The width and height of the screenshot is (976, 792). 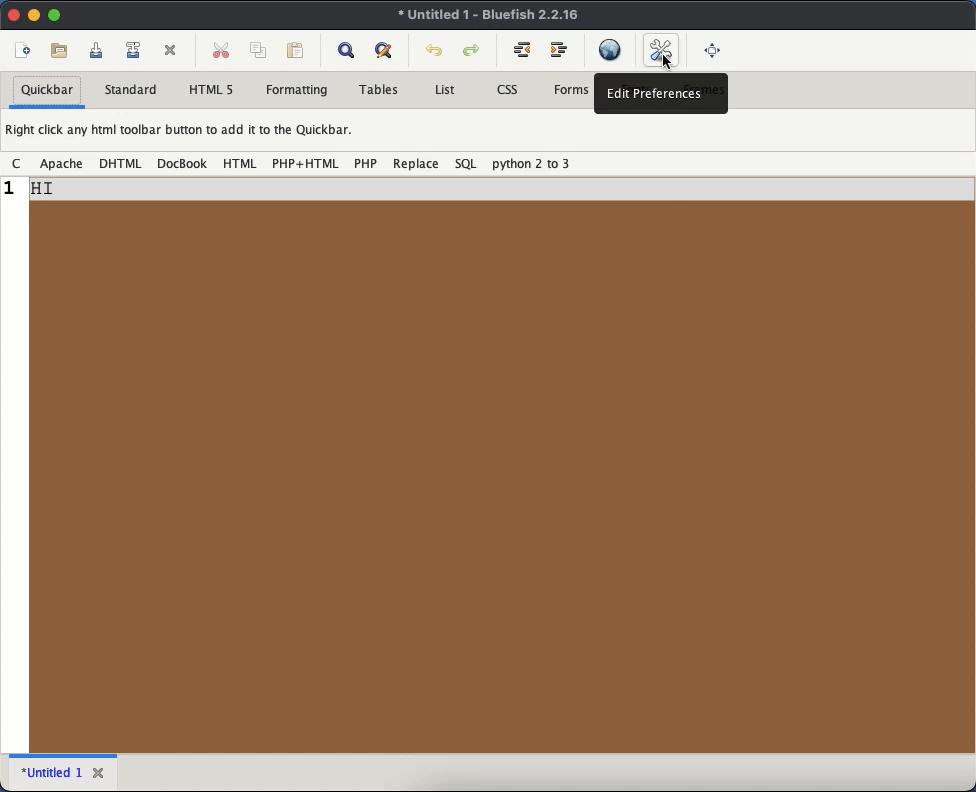 I want to click on sql, so click(x=465, y=165).